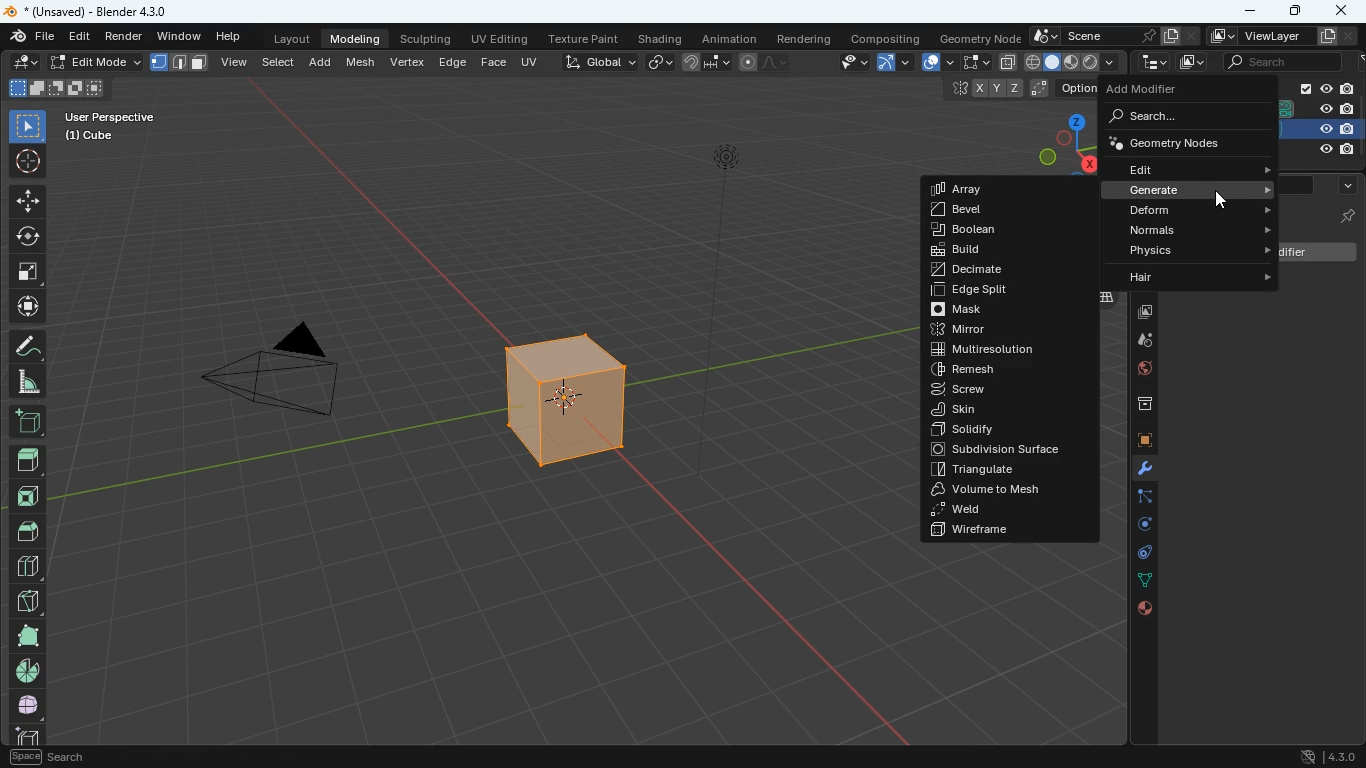 Image resolution: width=1366 pixels, height=768 pixels. I want to click on array, so click(976, 189).